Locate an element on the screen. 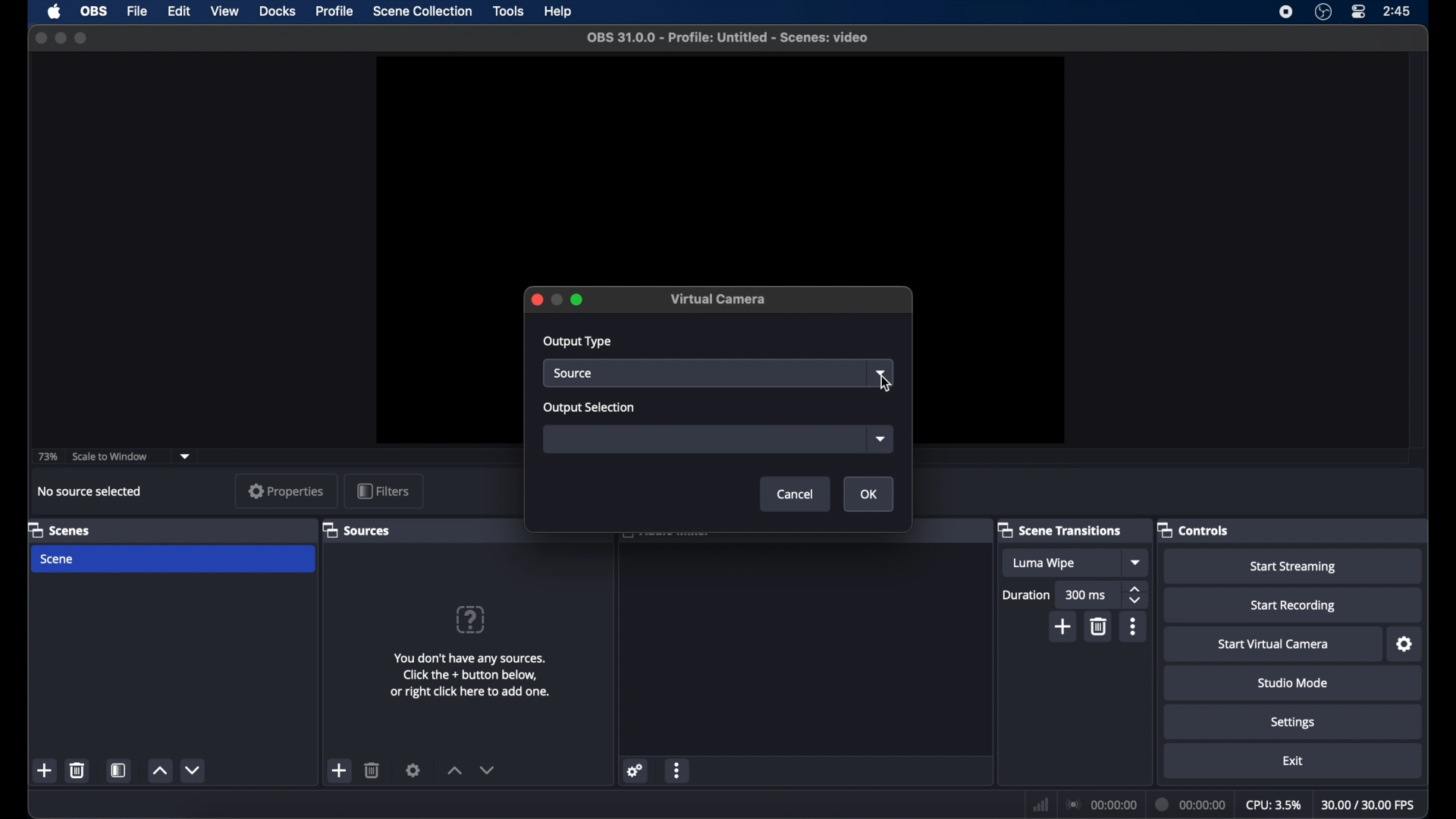  view is located at coordinates (224, 12).